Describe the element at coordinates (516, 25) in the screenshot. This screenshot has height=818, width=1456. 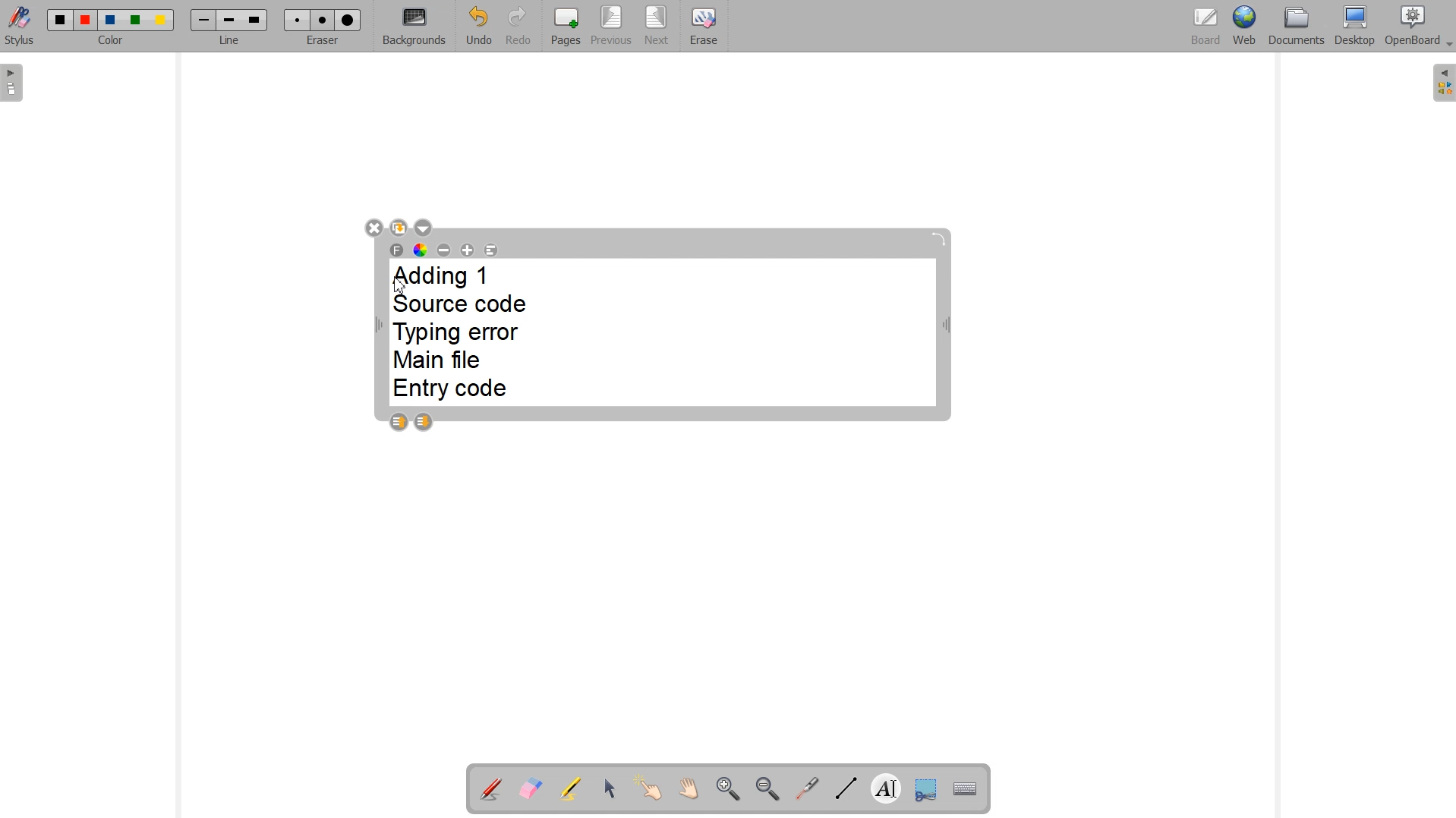
I see `Redo` at that location.